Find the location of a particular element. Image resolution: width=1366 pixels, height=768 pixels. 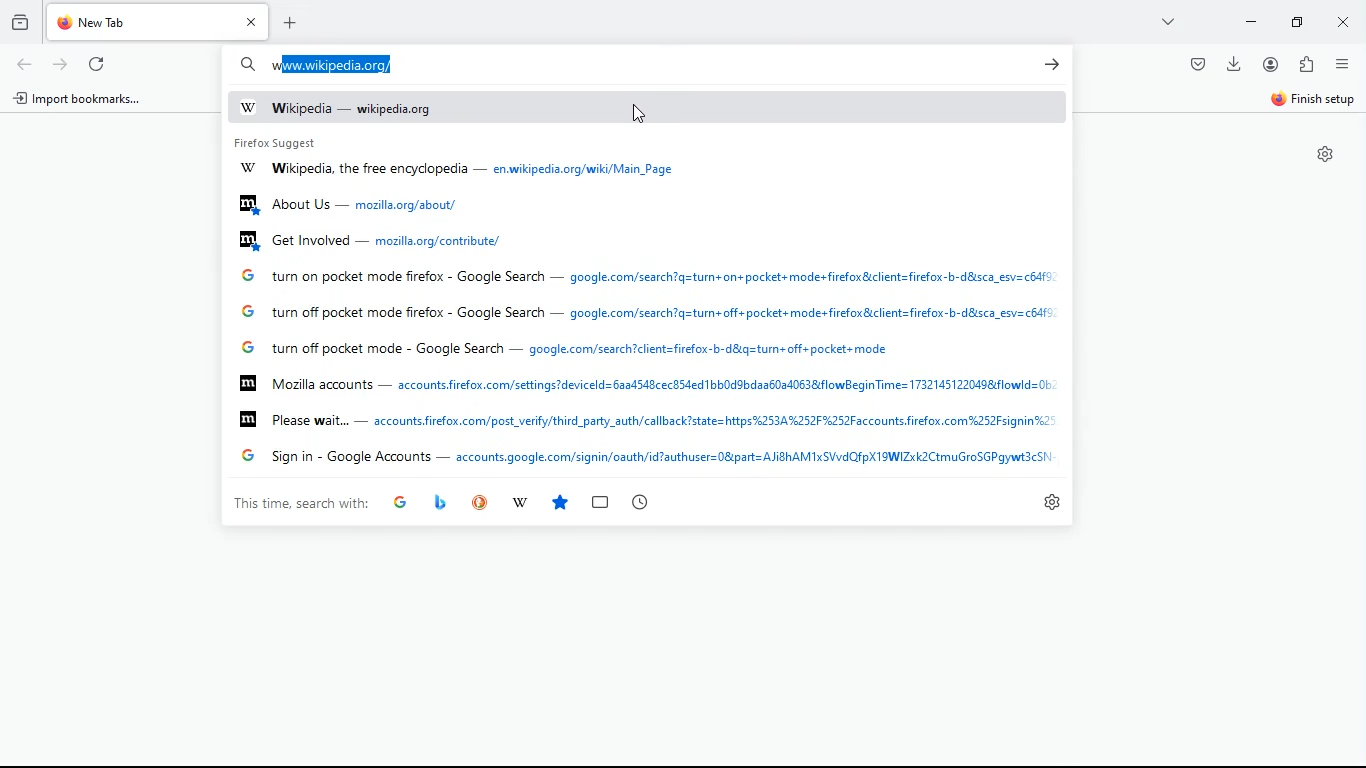

add new tab is located at coordinates (295, 23).